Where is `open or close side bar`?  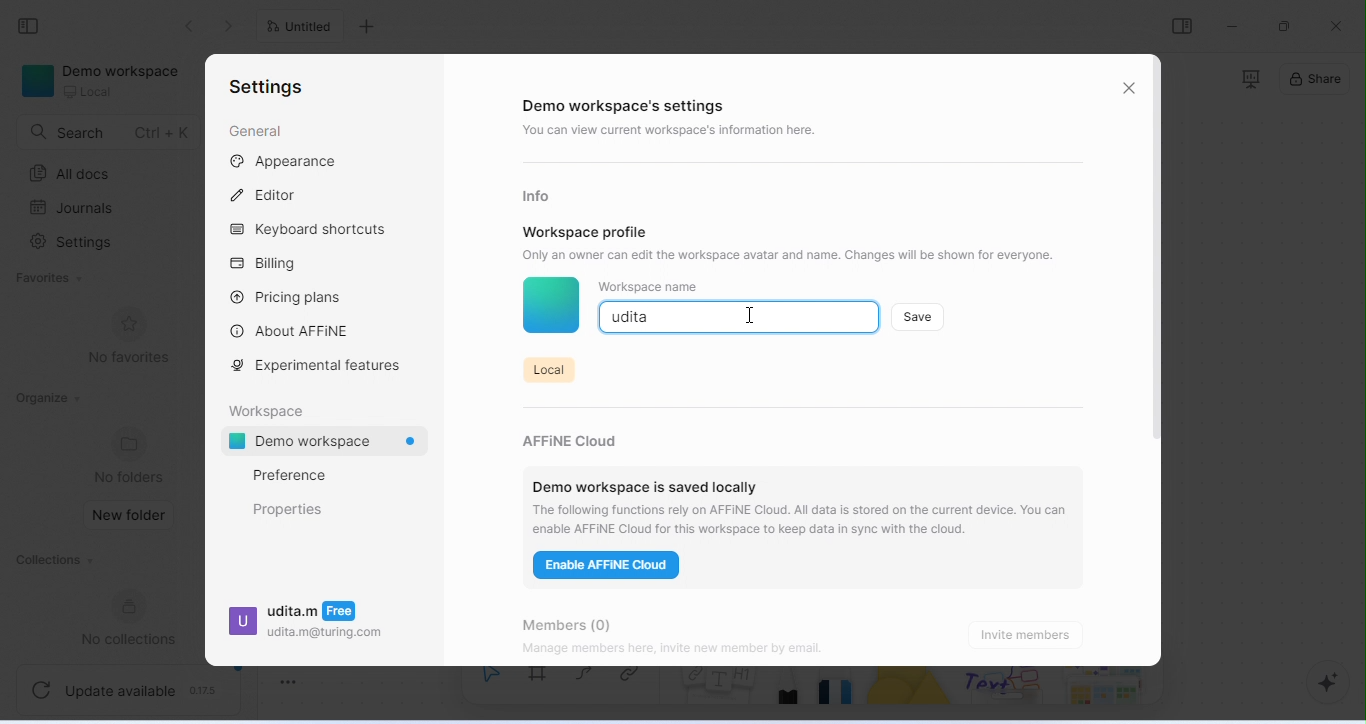
open or close side bar is located at coordinates (1182, 26).